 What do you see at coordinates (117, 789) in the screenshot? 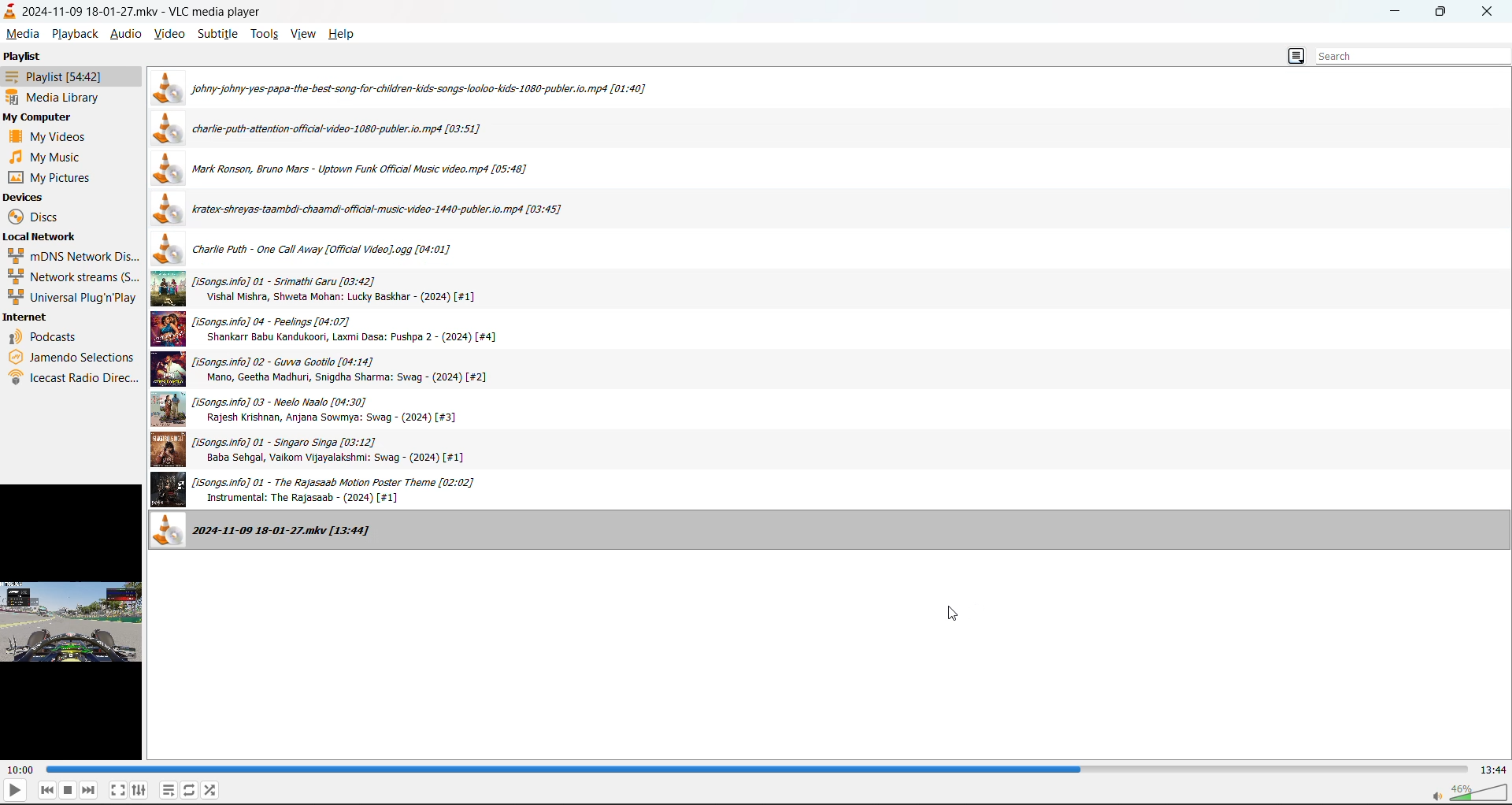
I see `fullscreen` at bounding box center [117, 789].